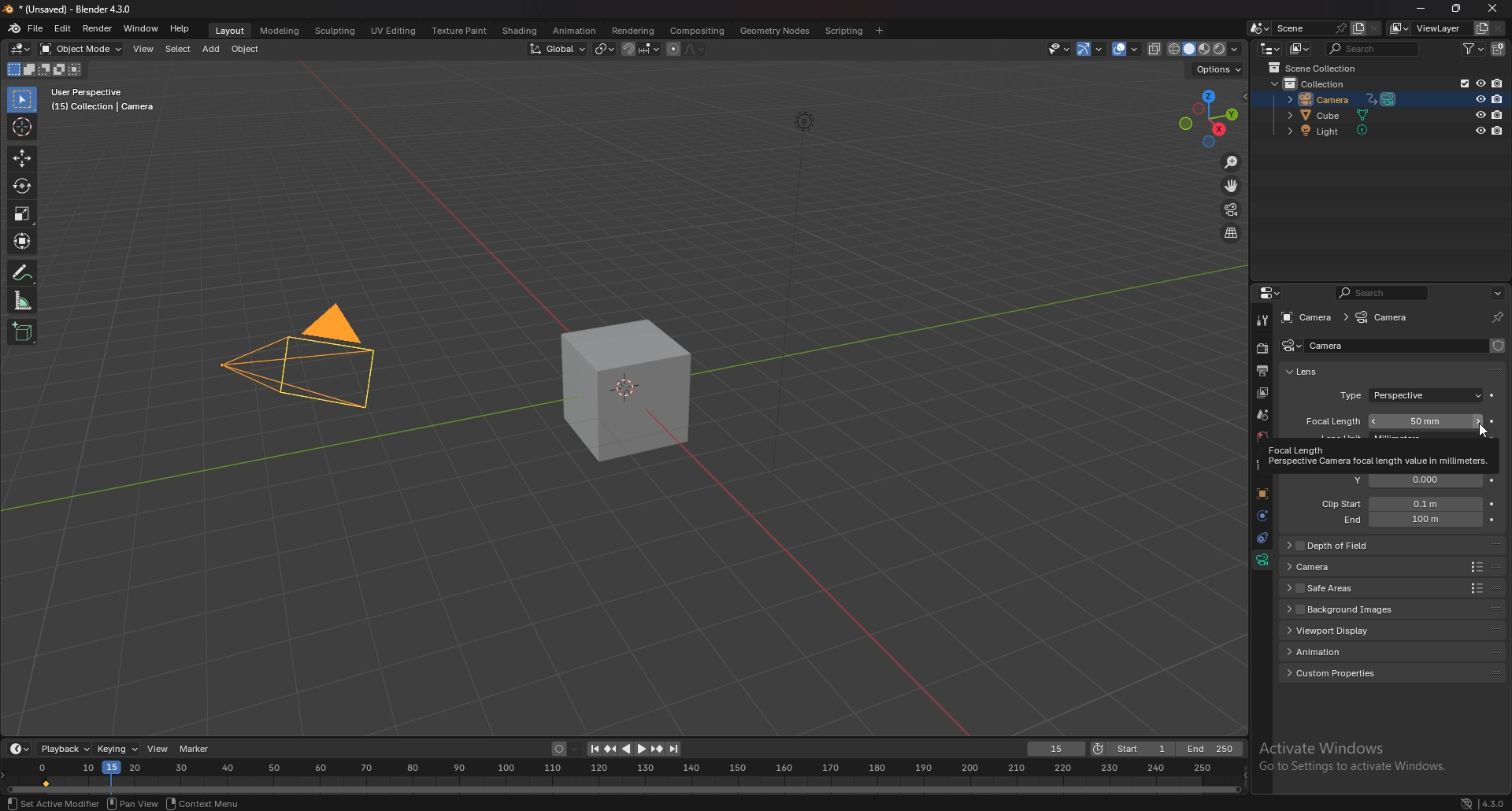 The image size is (1512, 811). I want to click on shading, so click(520, 30).